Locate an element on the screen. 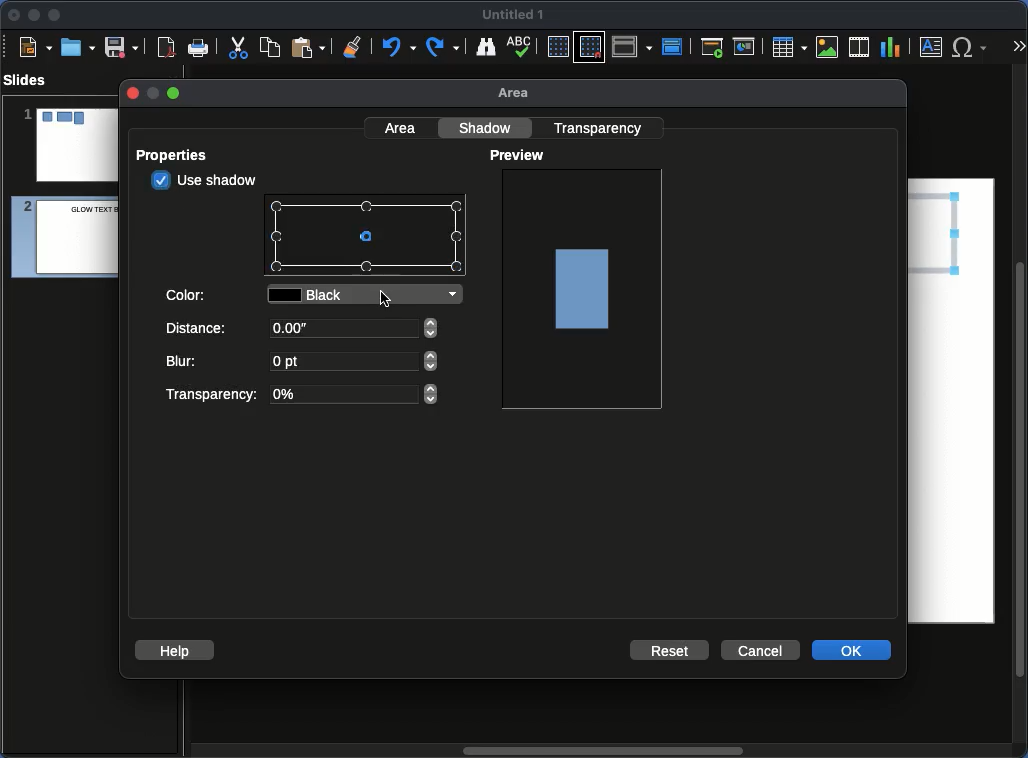 Image resolution: width=1028 pixels, height=758 pixels. Special characters is located at coordinates (974, 47).